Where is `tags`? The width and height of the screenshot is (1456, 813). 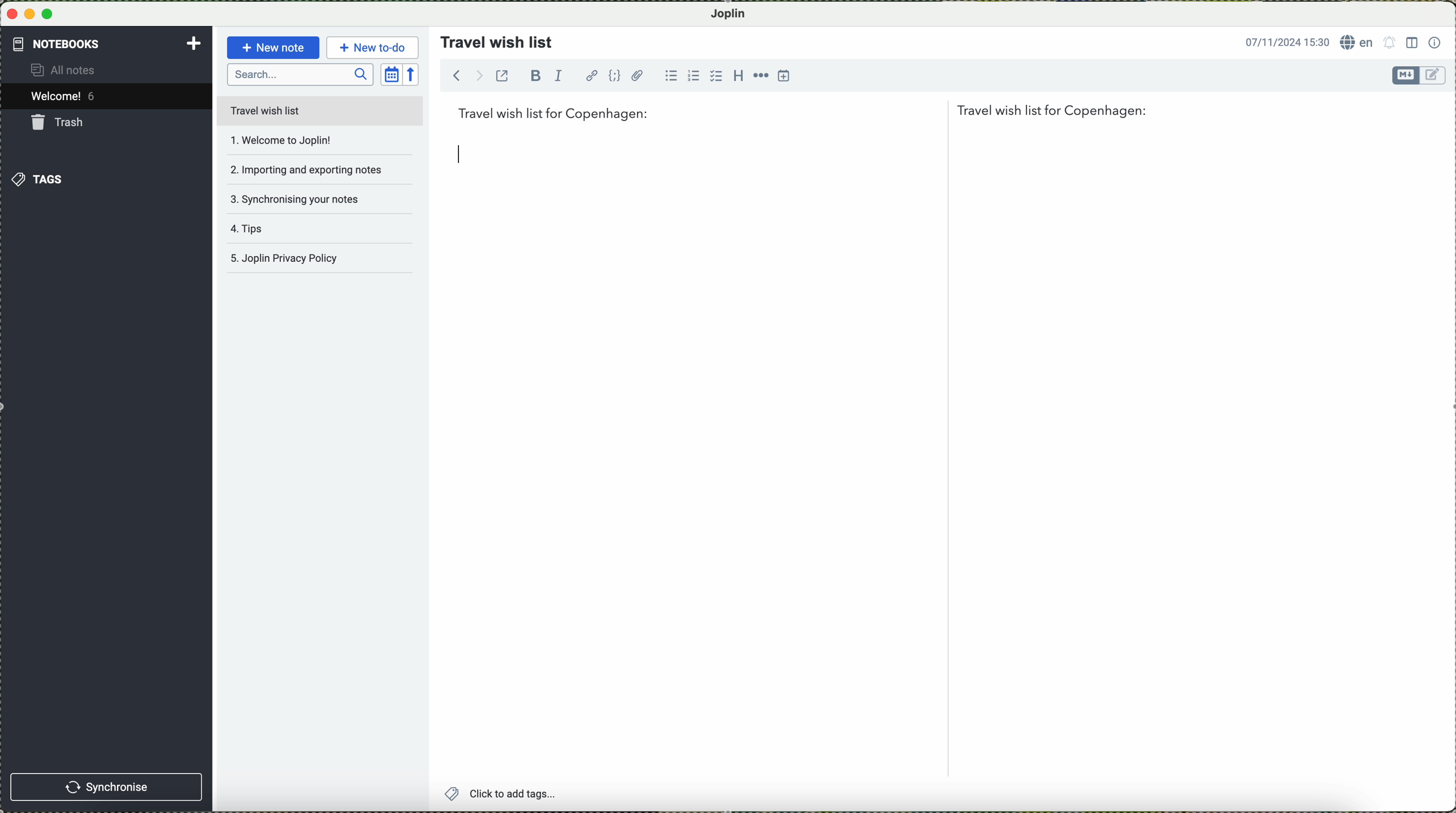 tags is located at coordinates (39, 179).